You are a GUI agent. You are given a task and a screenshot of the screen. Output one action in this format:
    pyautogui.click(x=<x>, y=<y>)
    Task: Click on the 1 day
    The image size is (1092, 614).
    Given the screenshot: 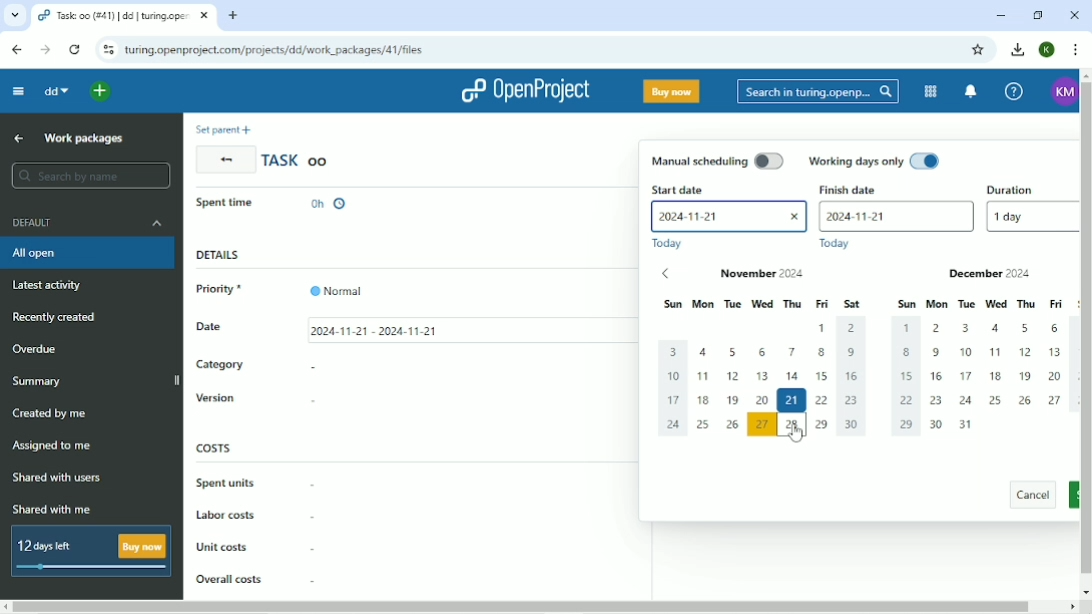 What is the action you would take?
    pyautogui.click(x=1029, y=217)
    